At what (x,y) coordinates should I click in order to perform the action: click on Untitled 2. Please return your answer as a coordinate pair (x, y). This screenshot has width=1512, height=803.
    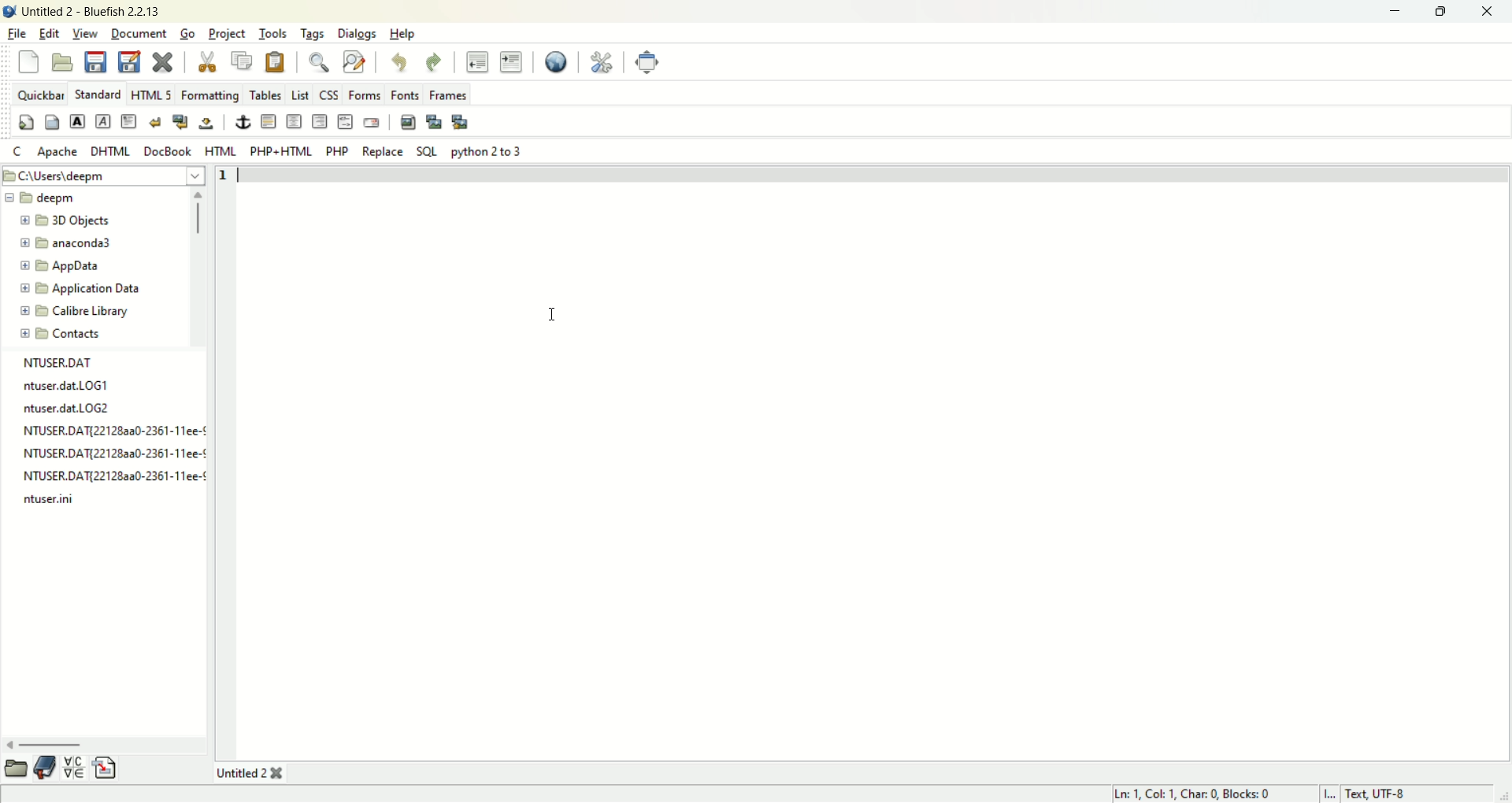
    Looking at the image, I should click on (250, 774).